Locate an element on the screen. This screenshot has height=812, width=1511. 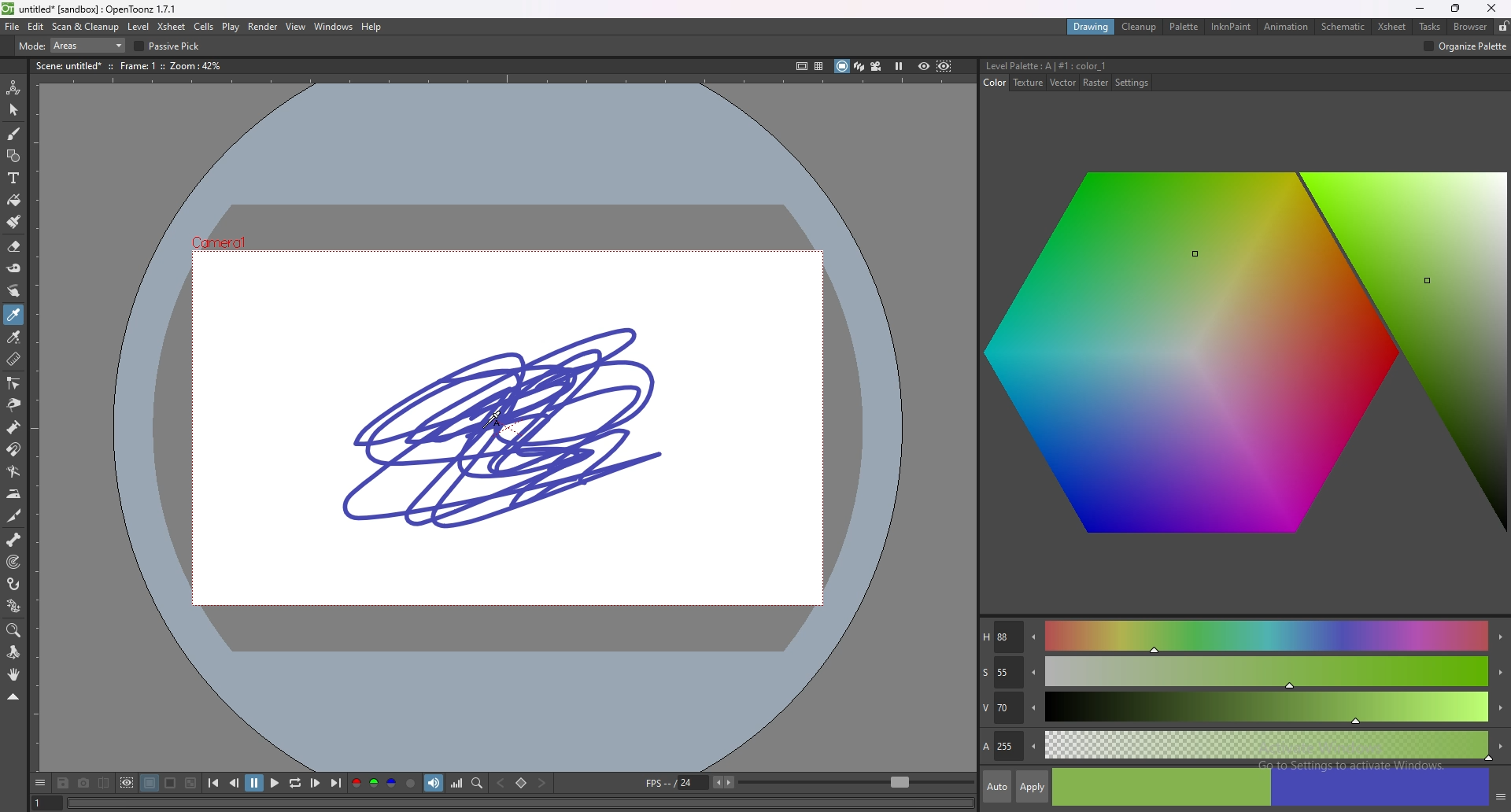
last frame is located at coordinates (334, 783).